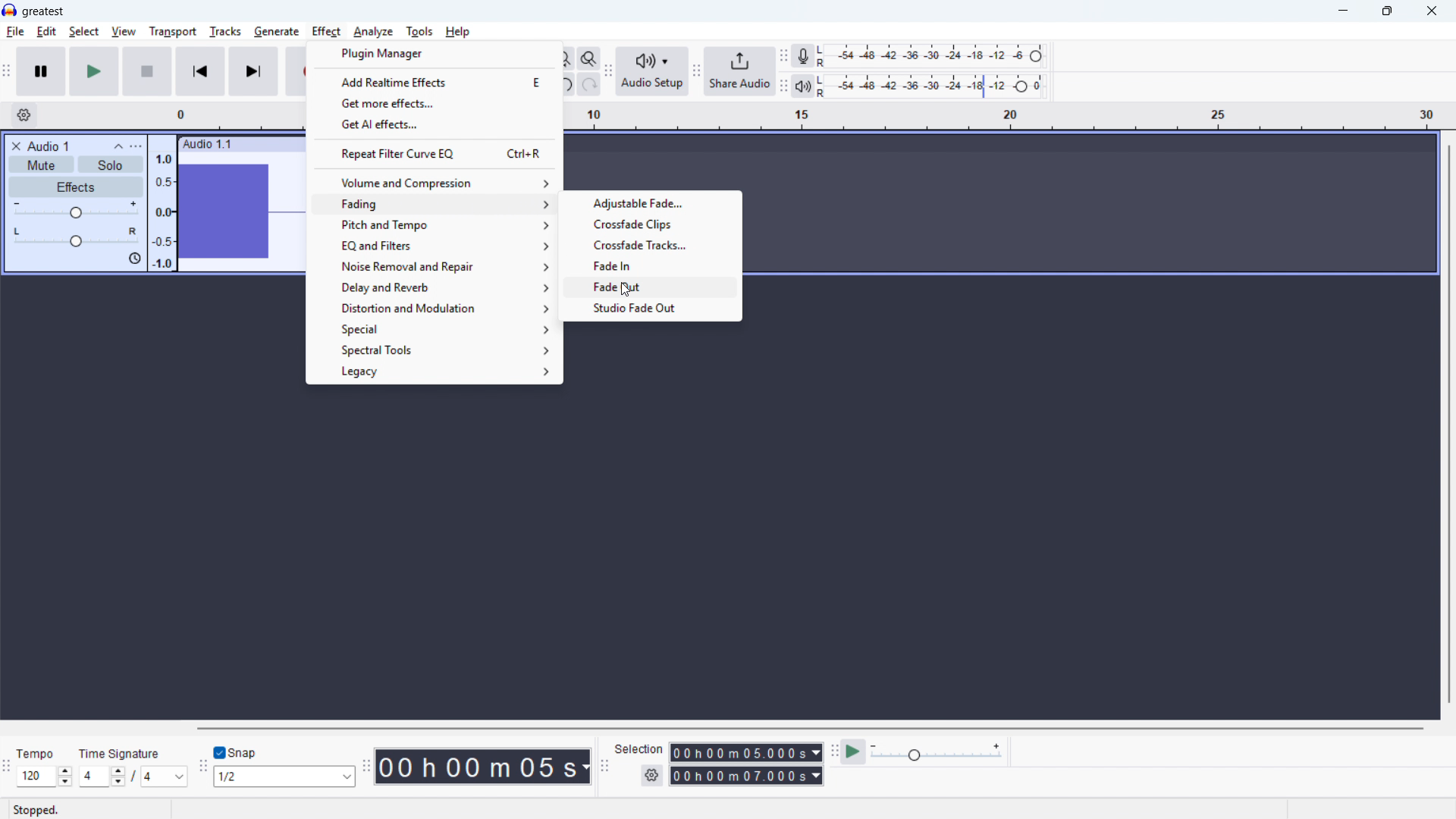  What do you see at coordinates (284, 776) in the screenshot?
I see `Select snapping ` at bounding box center [284, 776].